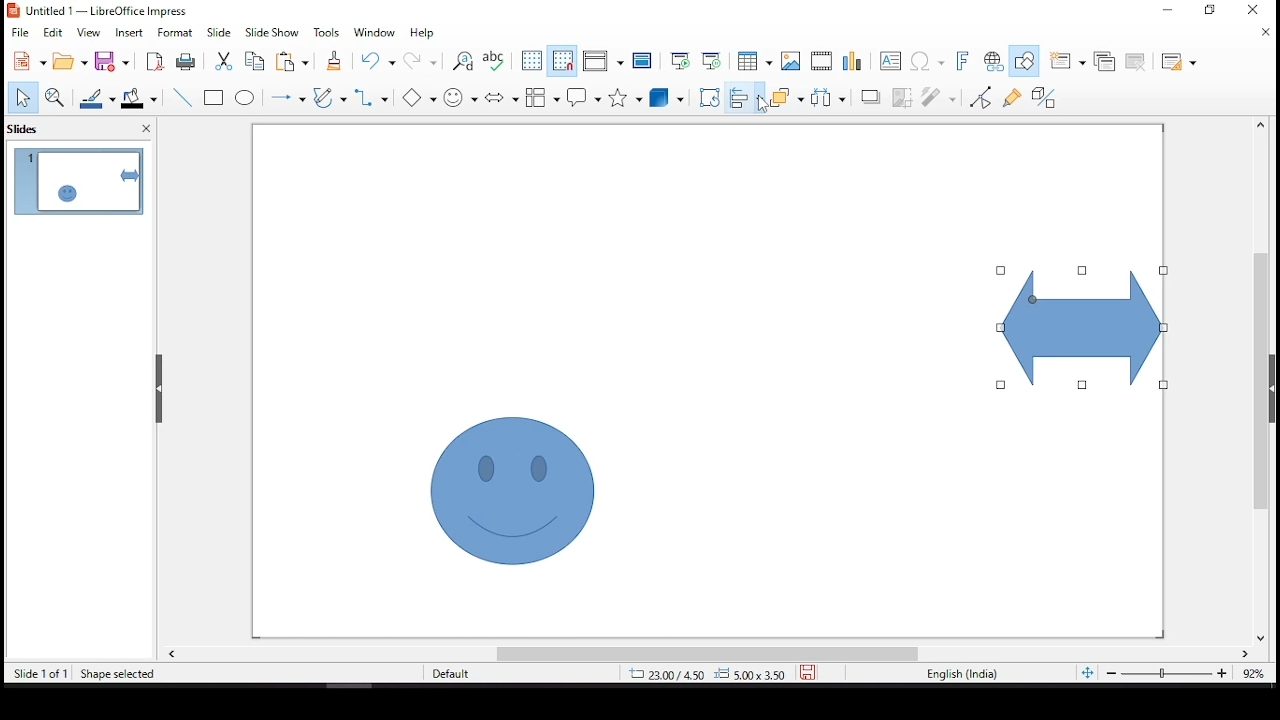 The width and height of the screenshot is (1280, 720). What do you see at coordinates (791, 61) in the screenshot?
I see `image` at bounding box center [791, 61].